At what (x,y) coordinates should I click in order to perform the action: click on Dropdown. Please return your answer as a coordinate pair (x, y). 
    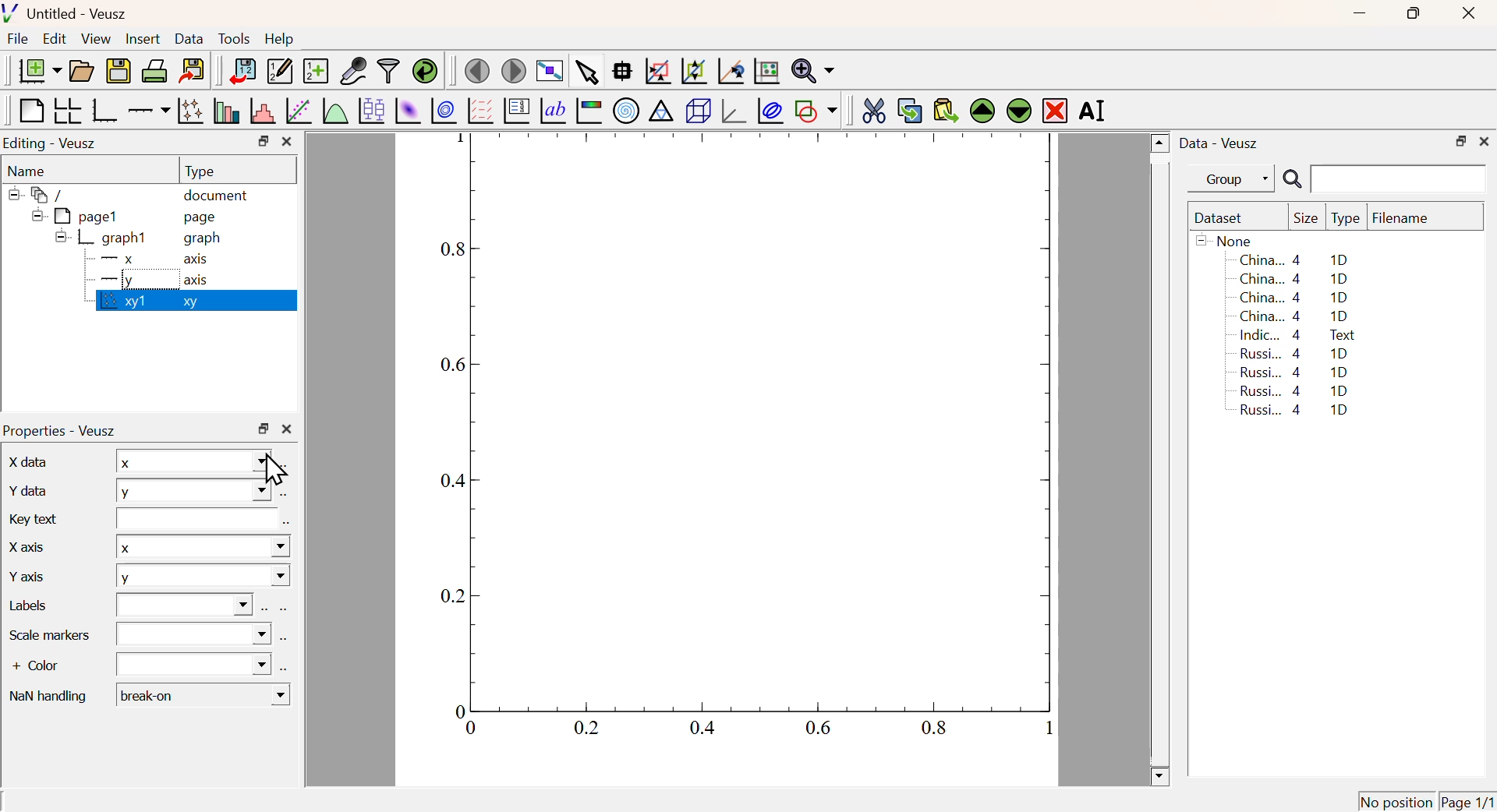
    Looking at the image, I should click on (184, 605).